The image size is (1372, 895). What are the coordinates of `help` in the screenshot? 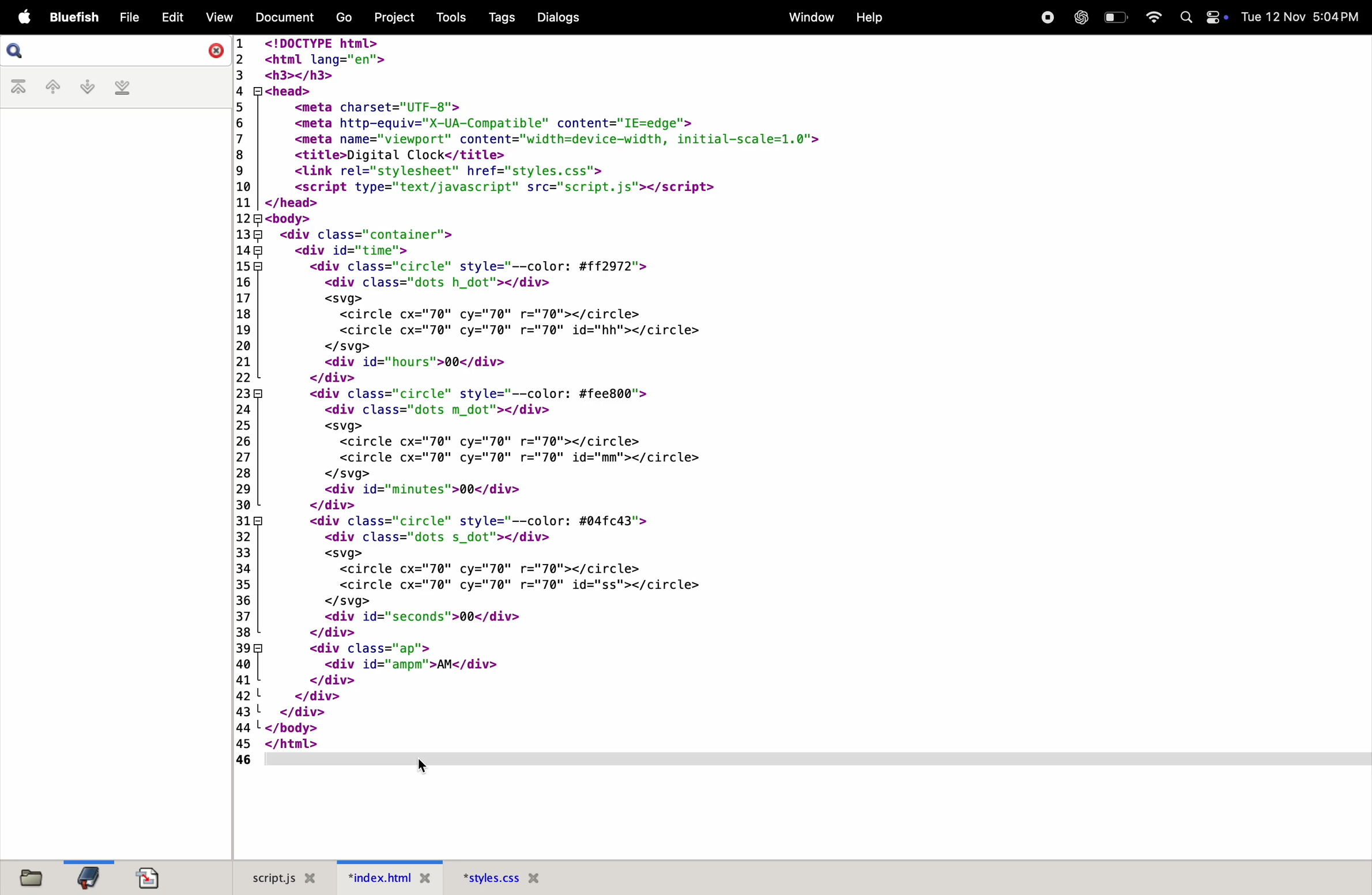 It's located at (870, 16).